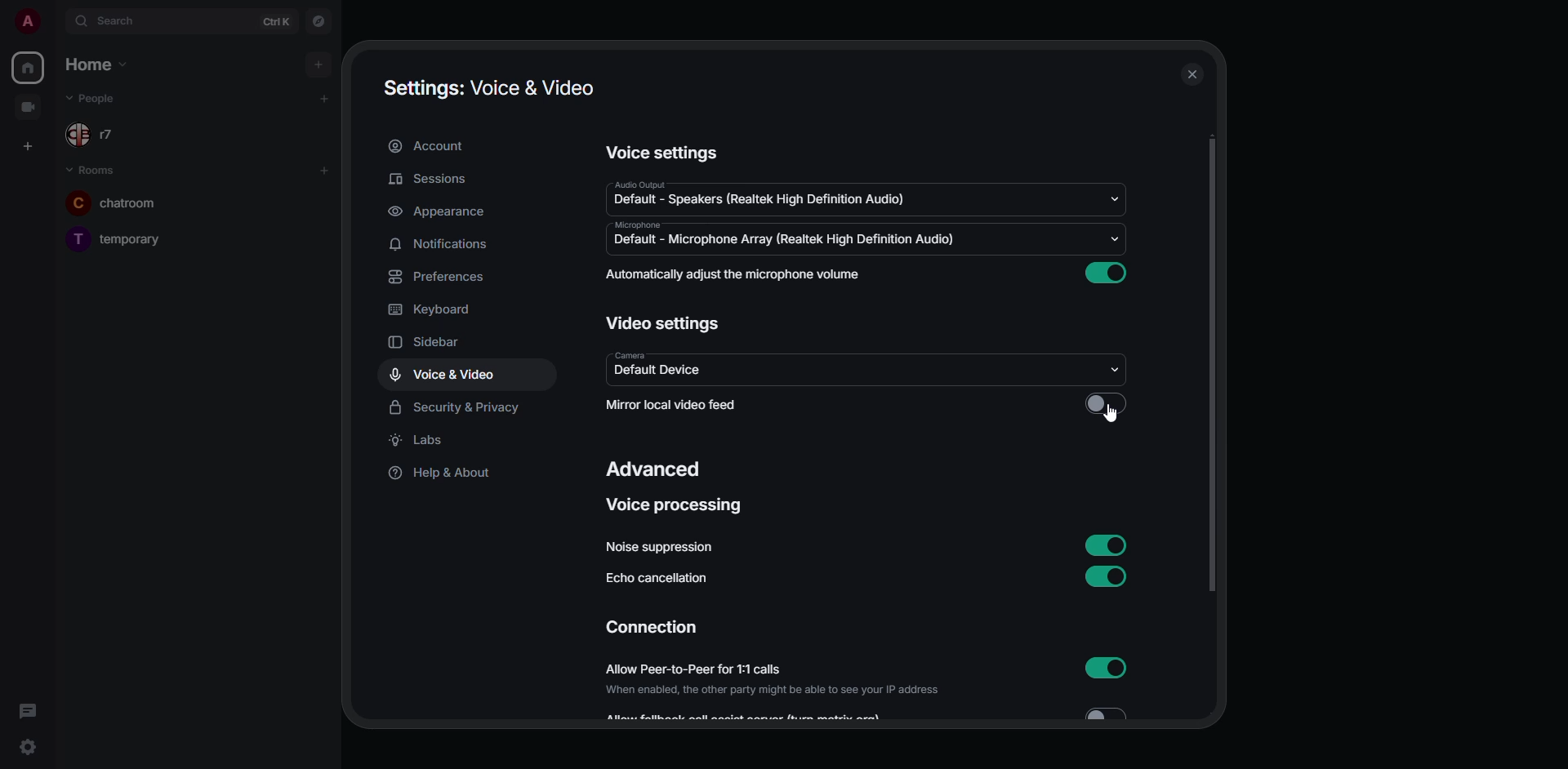  What do you see at coordinates (30, 21) in the screenshot?
I see `profile` at bounding box center [30, 21].